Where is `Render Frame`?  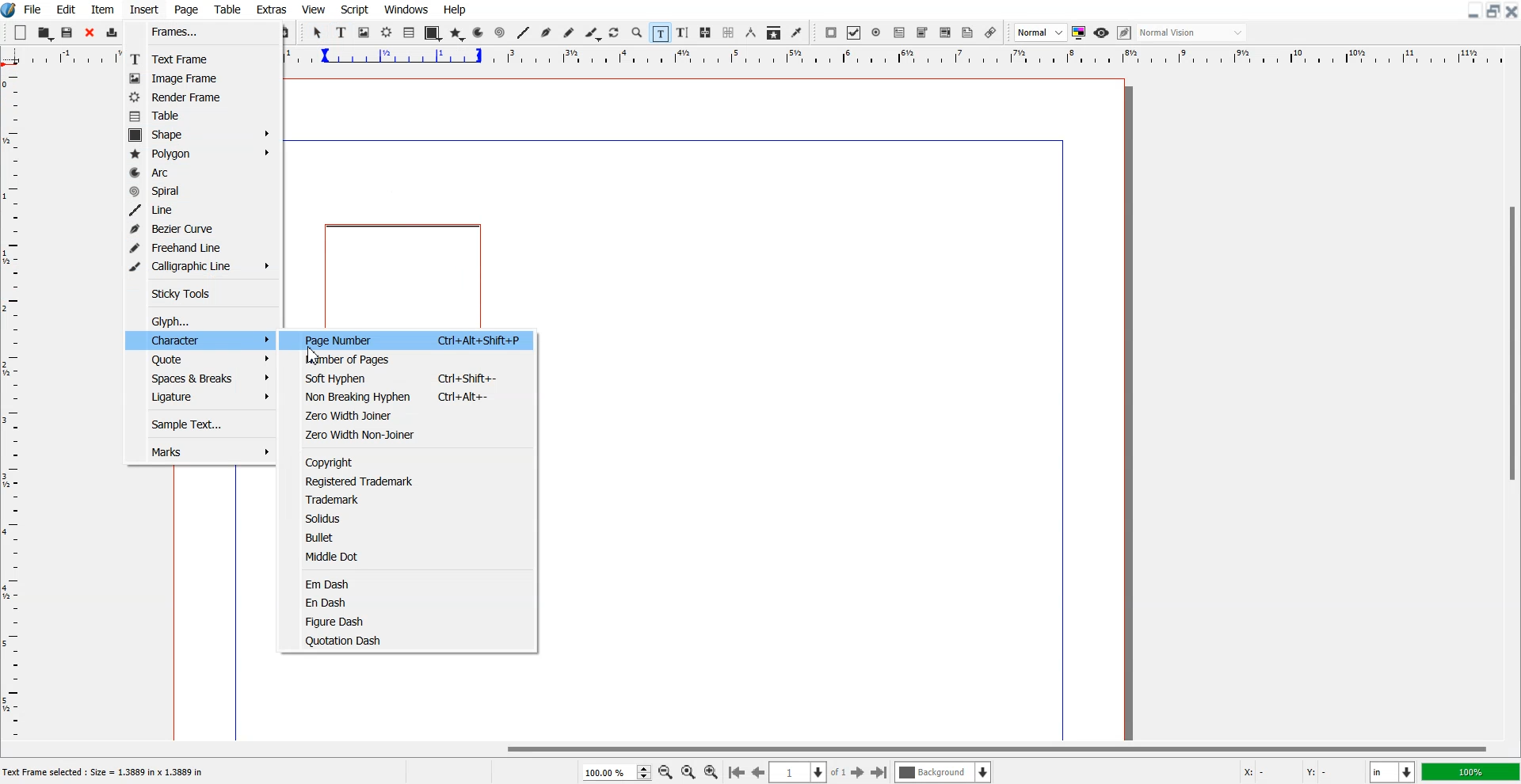 Render Frame is located at coordinates (194, 97).